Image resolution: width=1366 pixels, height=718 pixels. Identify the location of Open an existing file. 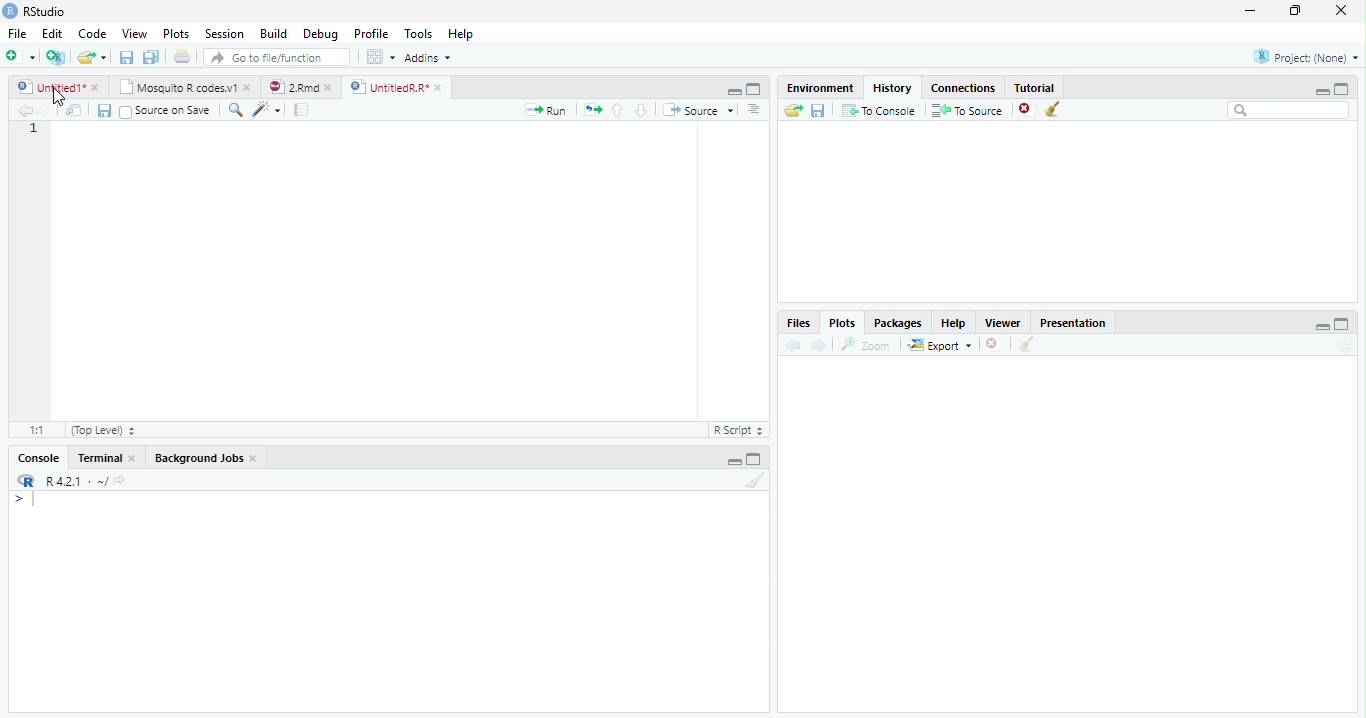
(92, 57).